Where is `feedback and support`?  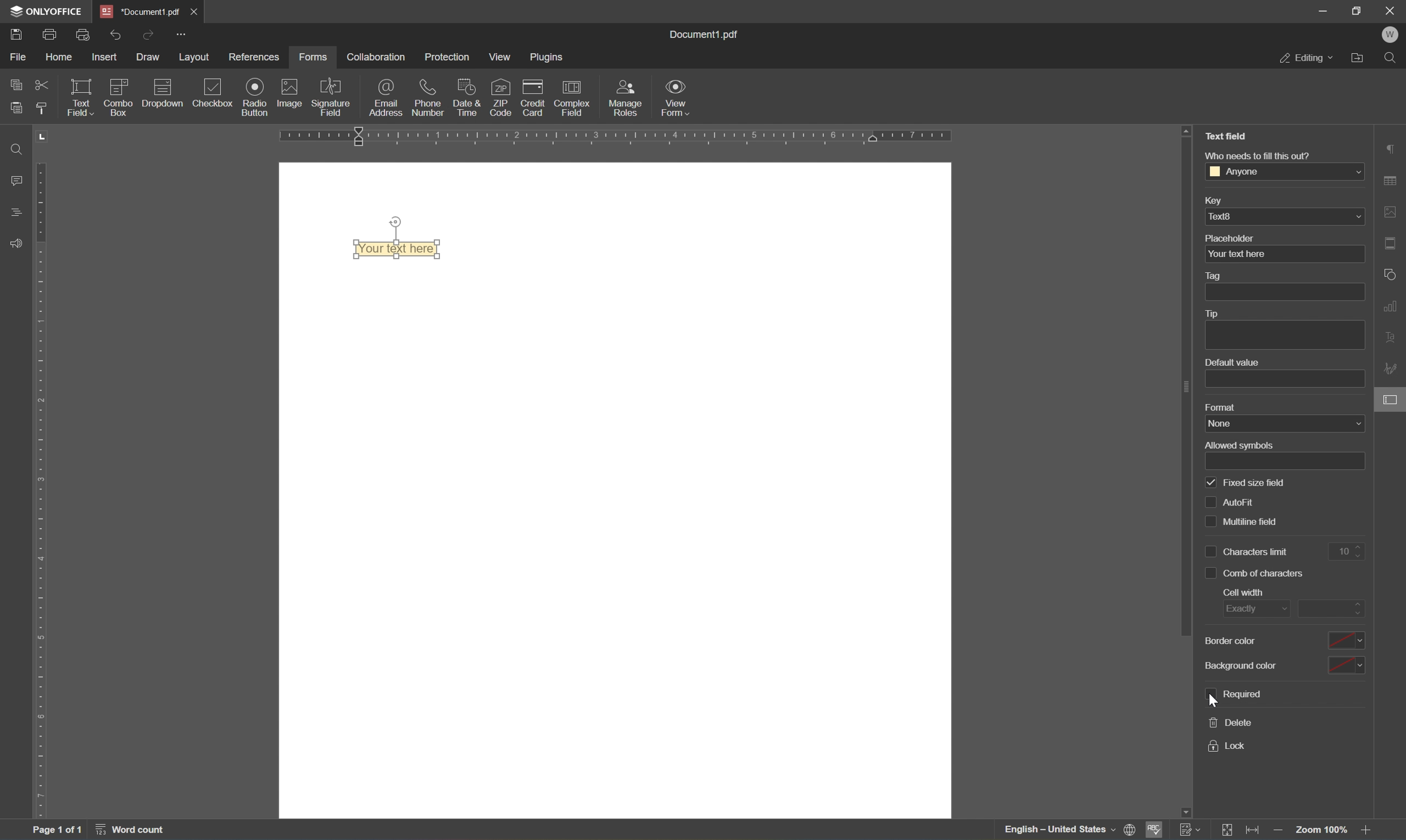
feedback and support is located at coordinates (15, 244).